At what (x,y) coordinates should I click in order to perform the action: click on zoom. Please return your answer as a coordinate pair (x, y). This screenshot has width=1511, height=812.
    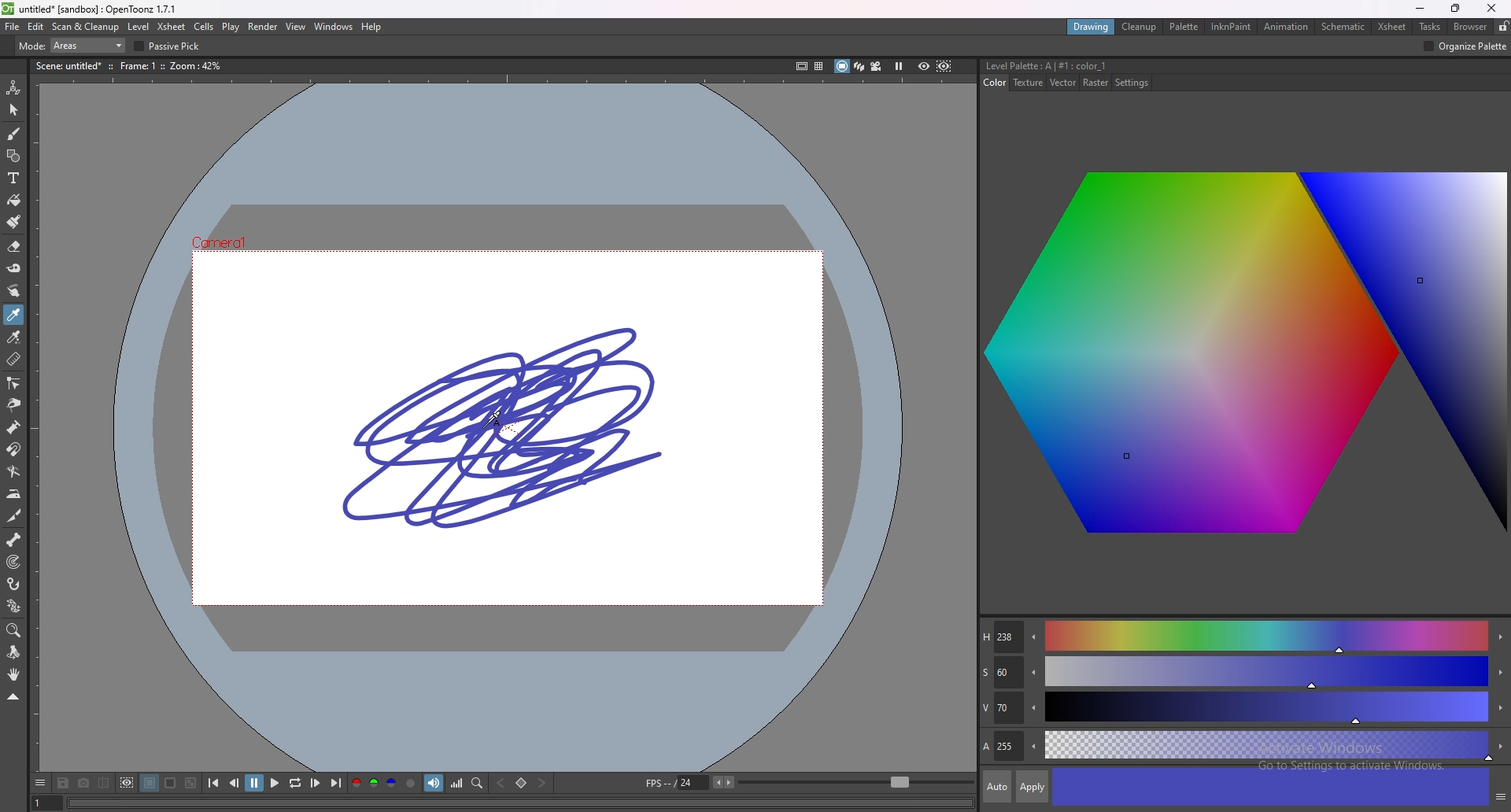
    Looking at the image, I should click on (856, 783).